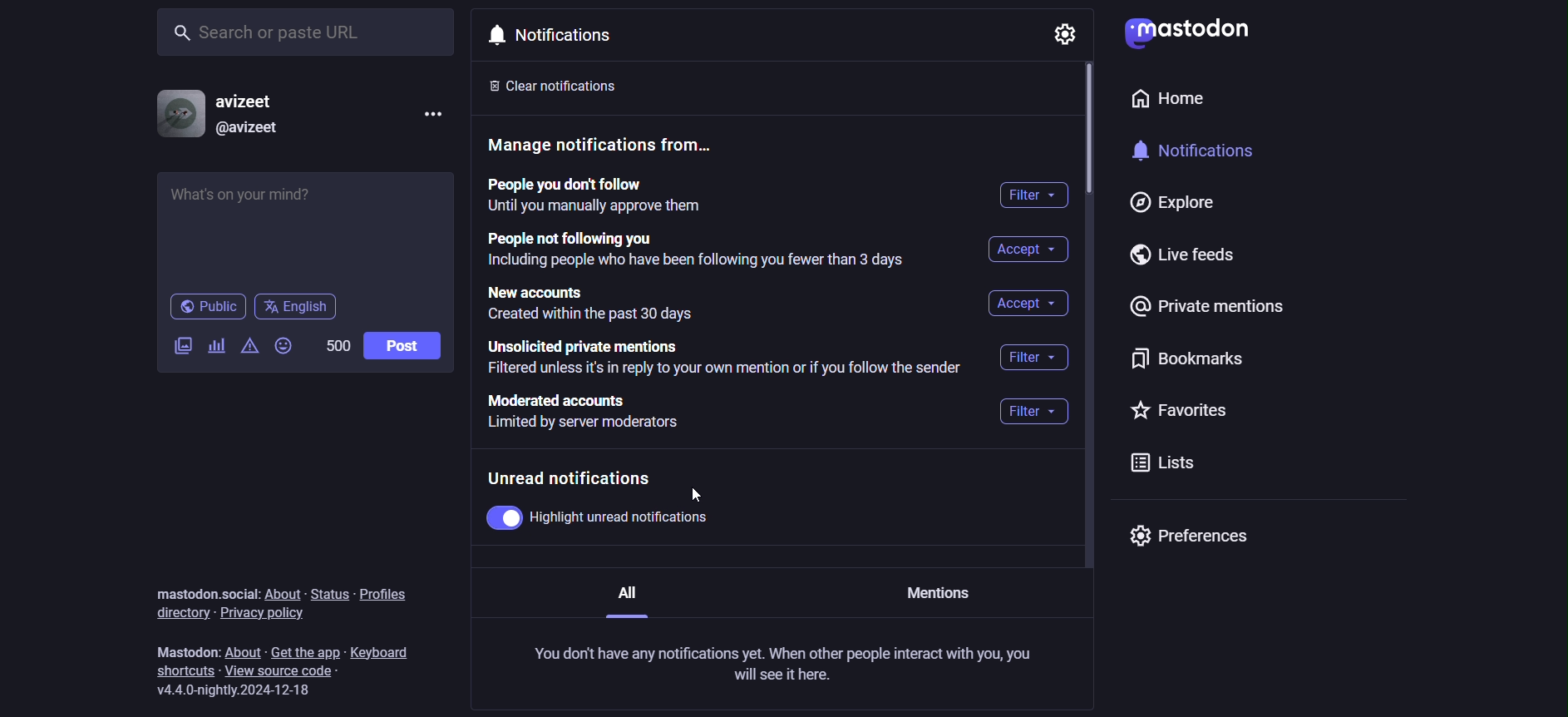  What do you see at coordinates (338, 344) in the screenshot?
I see `word limit` at bounding box center [338, 344].